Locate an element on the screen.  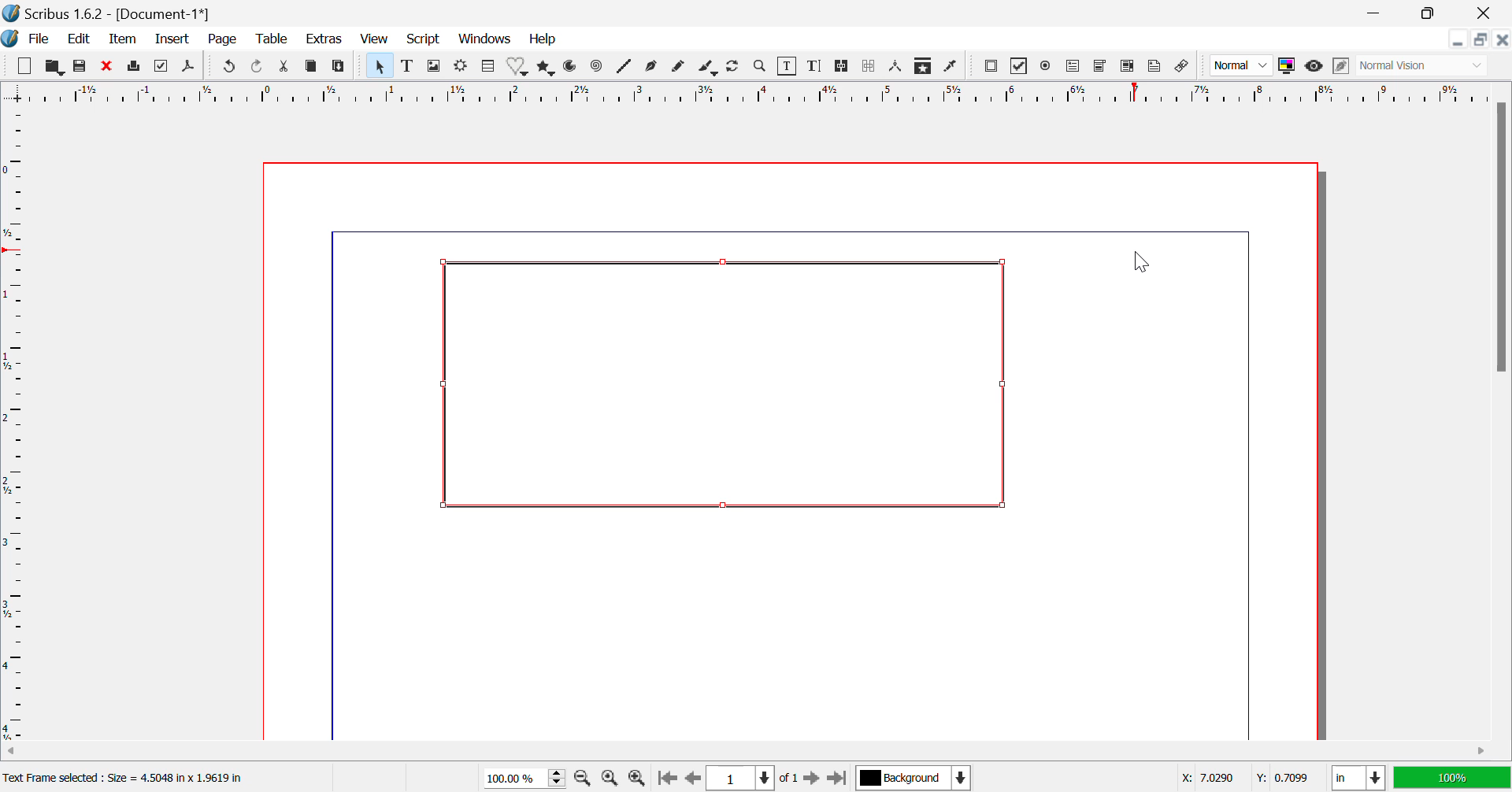
PDF checkbox is located at coordinates (1020, 65).